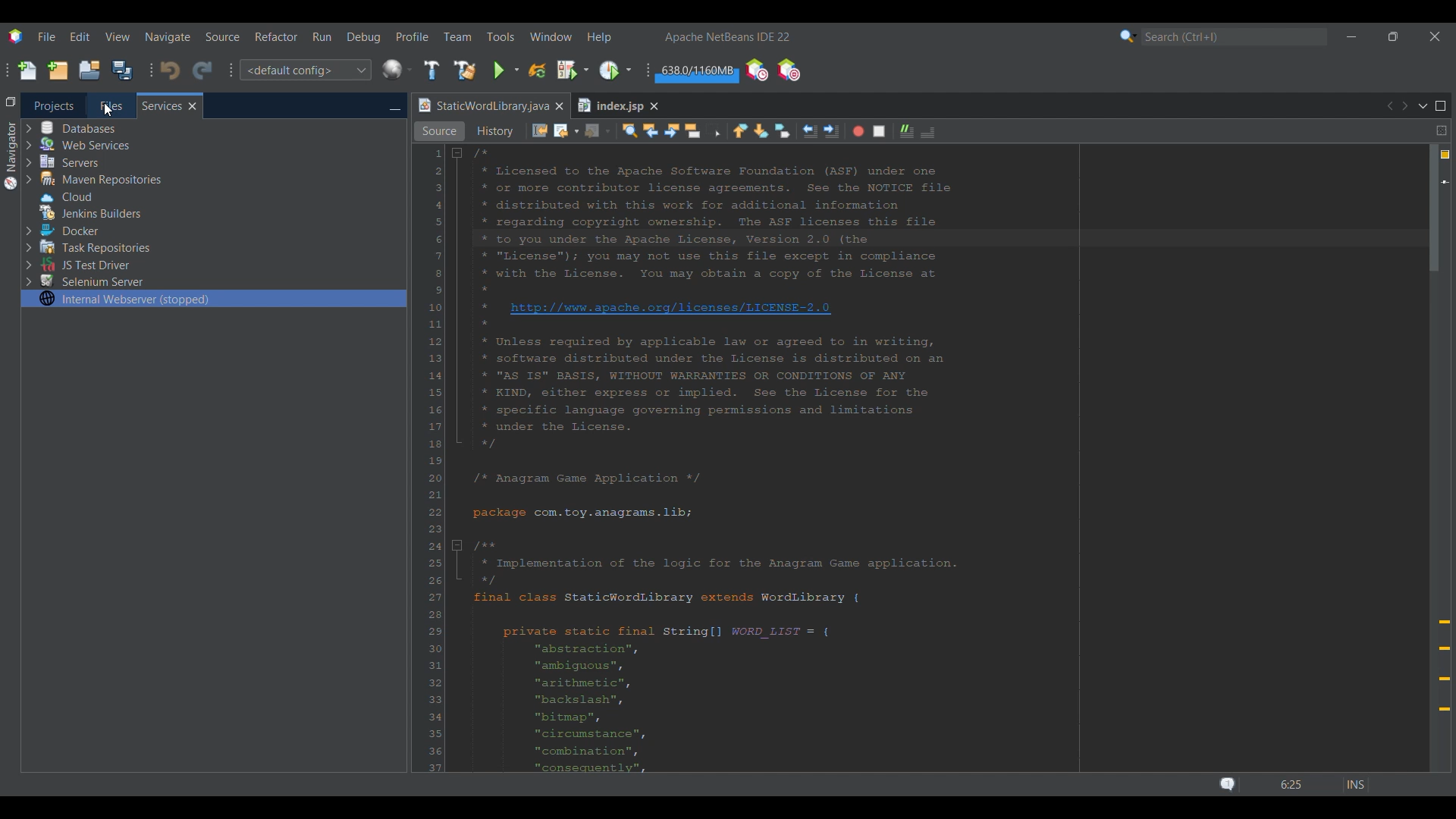  Describe the element at coordinates (597, 132) in the screenshot. I see `Forward options` at that location.